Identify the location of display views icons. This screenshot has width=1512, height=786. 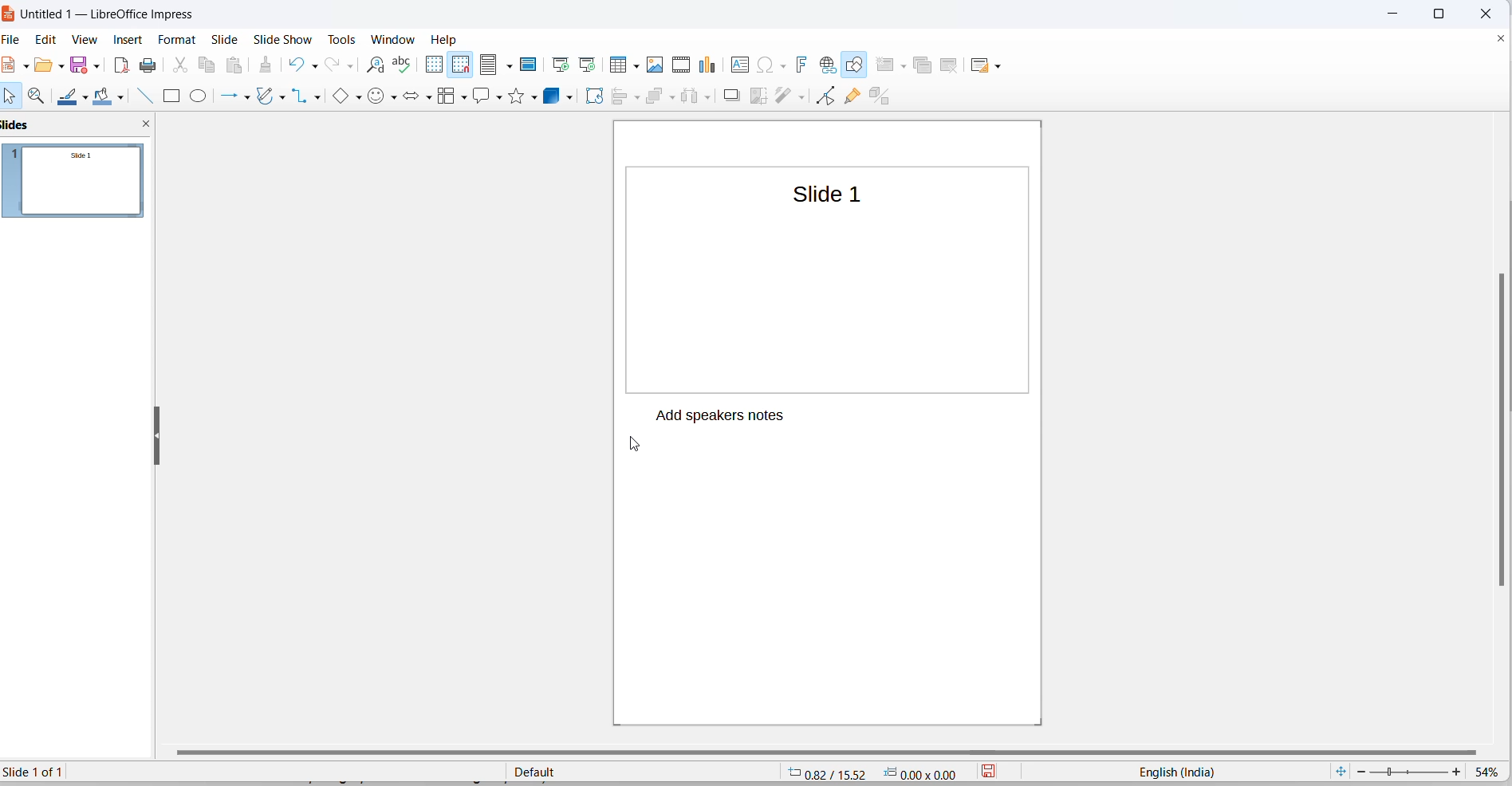
(490, 65).